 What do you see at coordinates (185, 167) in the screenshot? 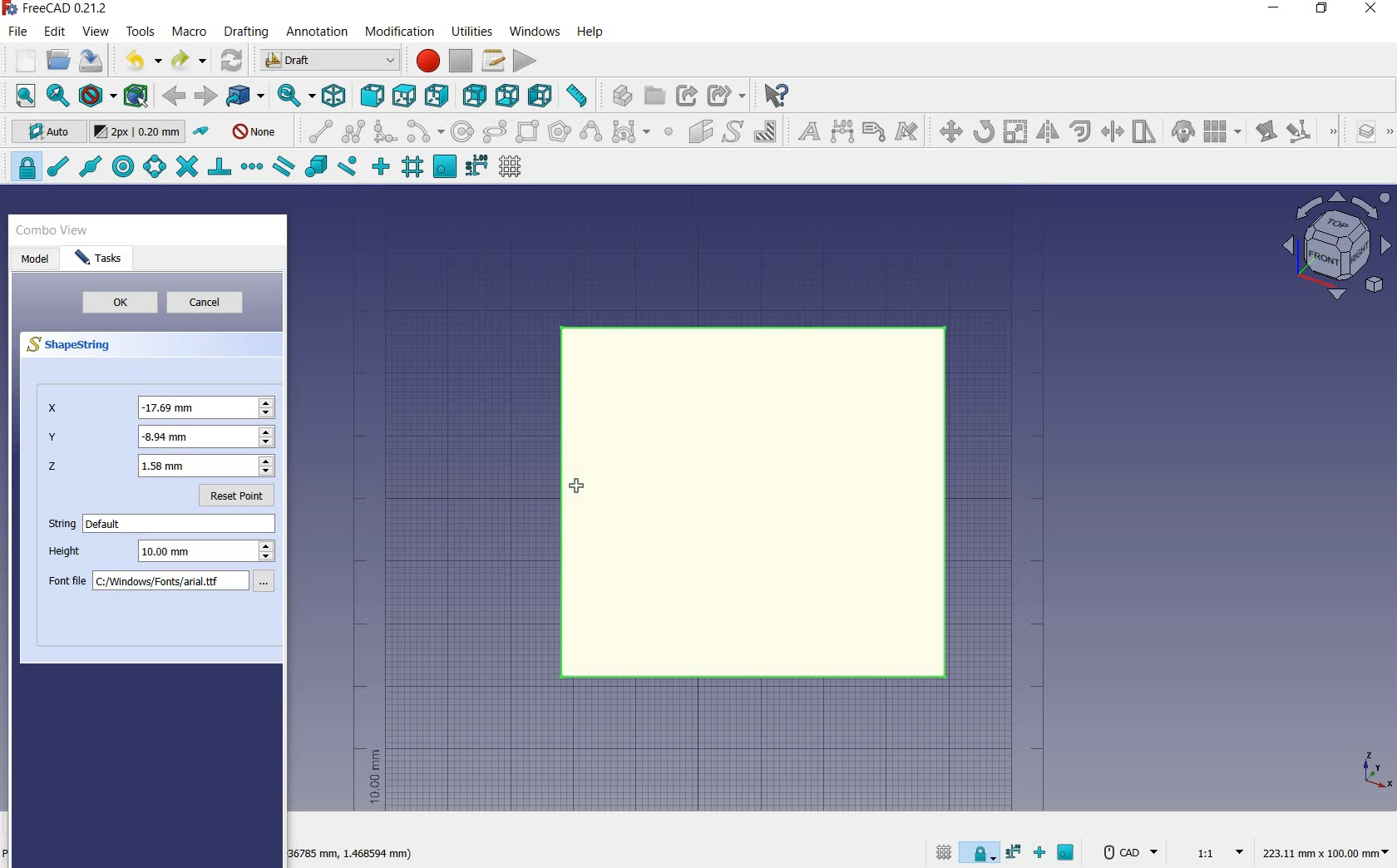
I see `snap intersection` at bounding box center [185, 167].